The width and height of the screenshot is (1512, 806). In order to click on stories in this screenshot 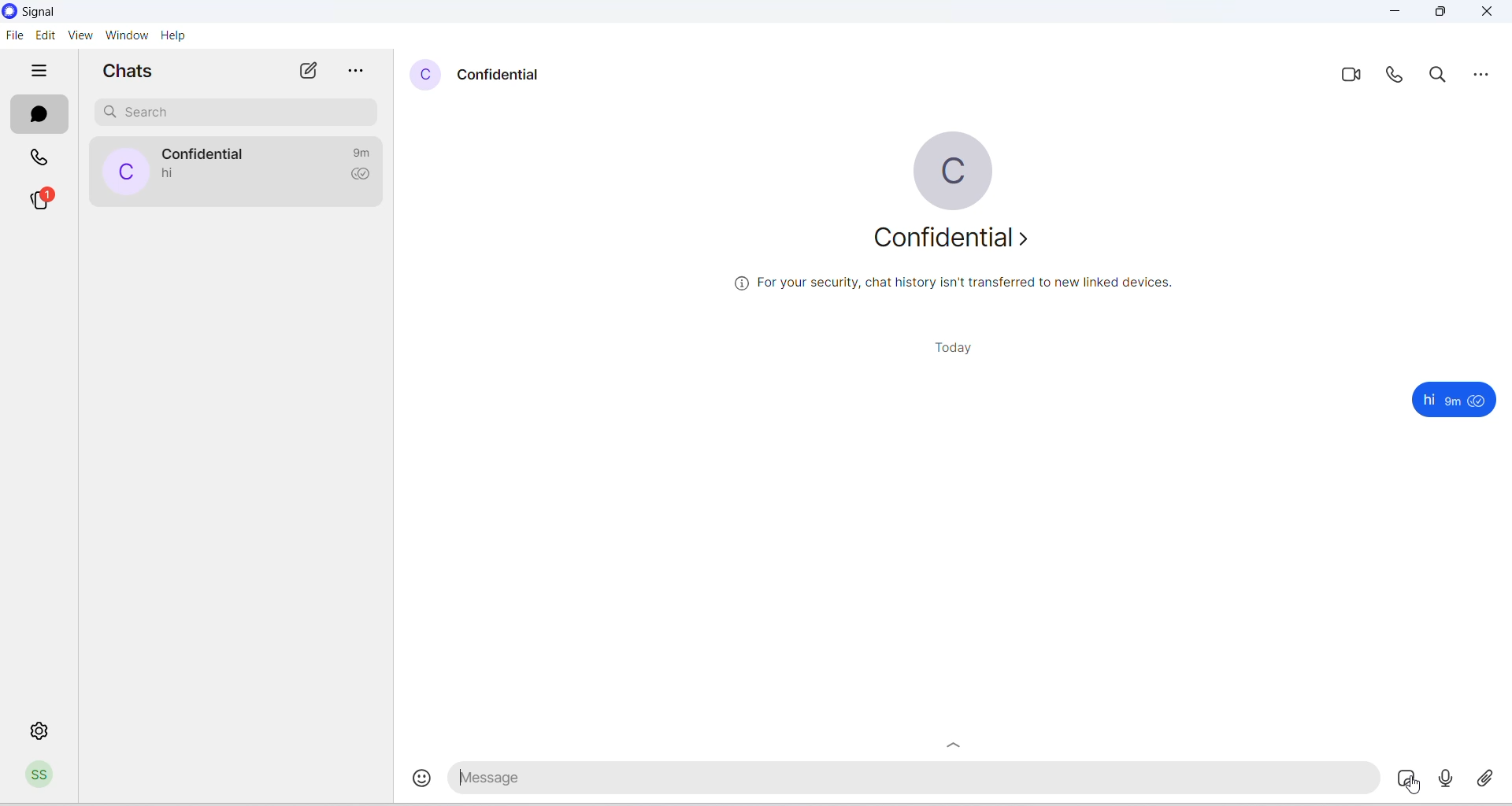, I will do `click(50, 199)`.